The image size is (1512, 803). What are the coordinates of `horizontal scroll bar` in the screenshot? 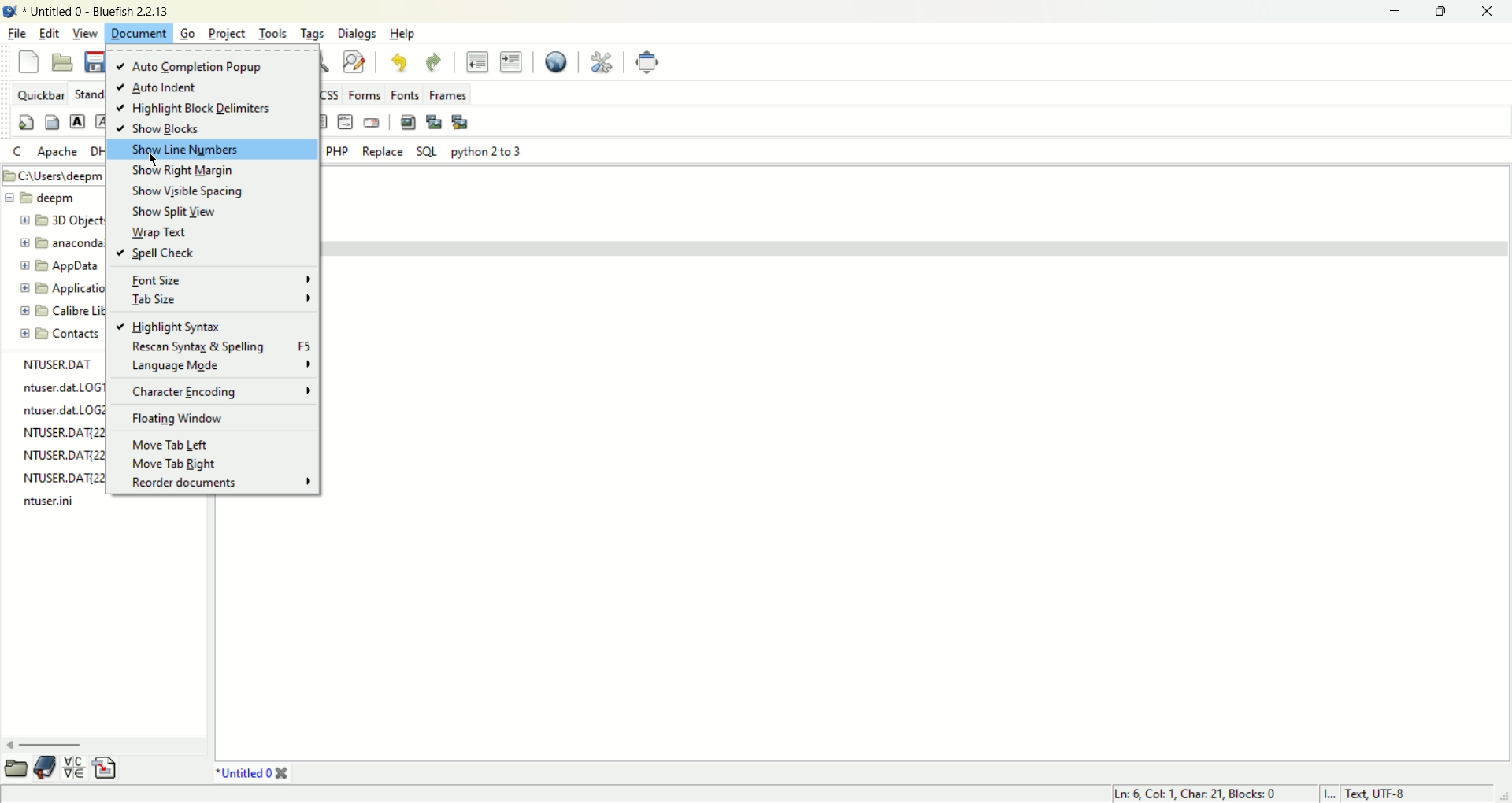 It's located at (101, 746).